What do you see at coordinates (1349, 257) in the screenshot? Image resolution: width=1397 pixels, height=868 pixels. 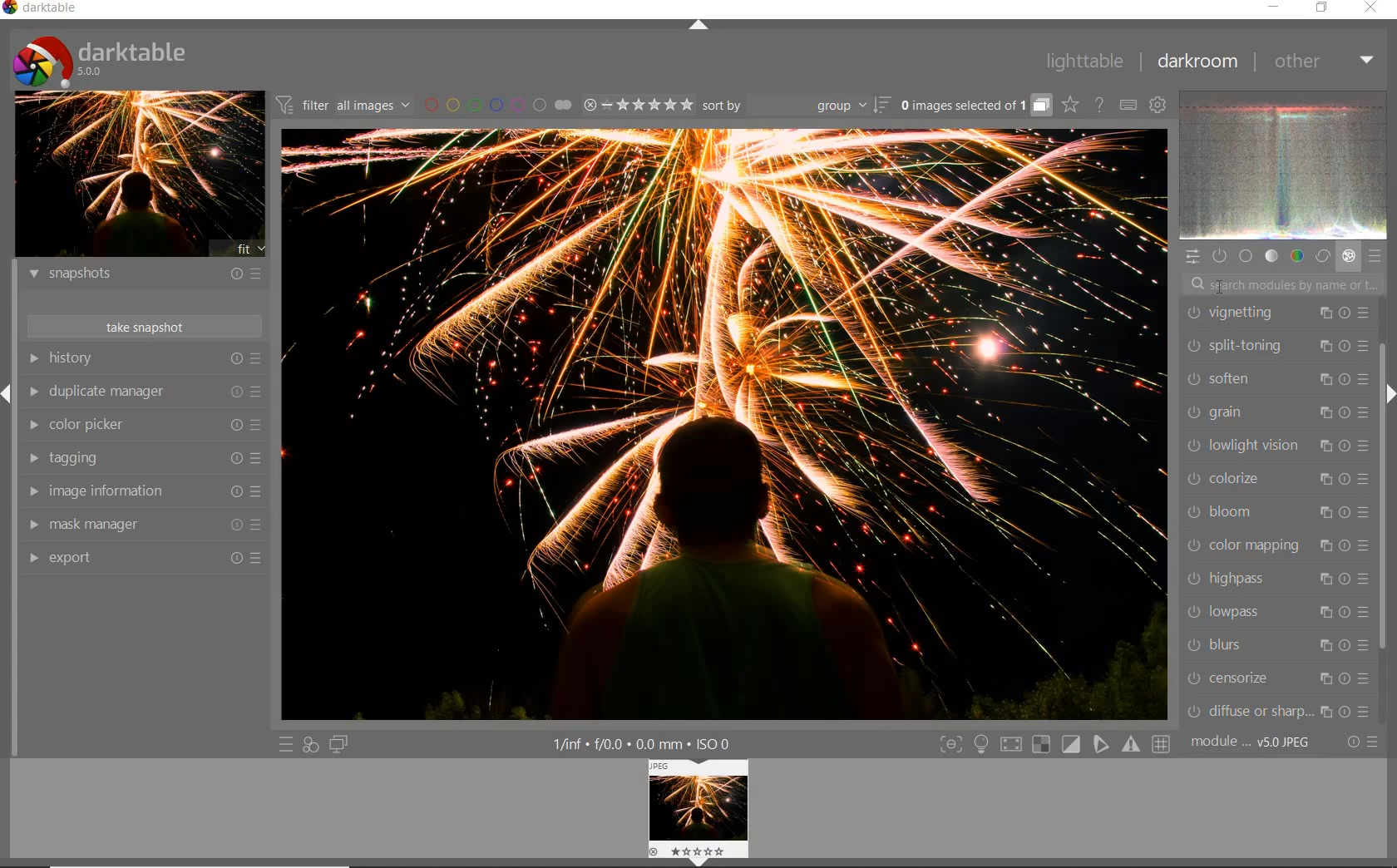 I see `effect` at bounding box center [1349, 257].